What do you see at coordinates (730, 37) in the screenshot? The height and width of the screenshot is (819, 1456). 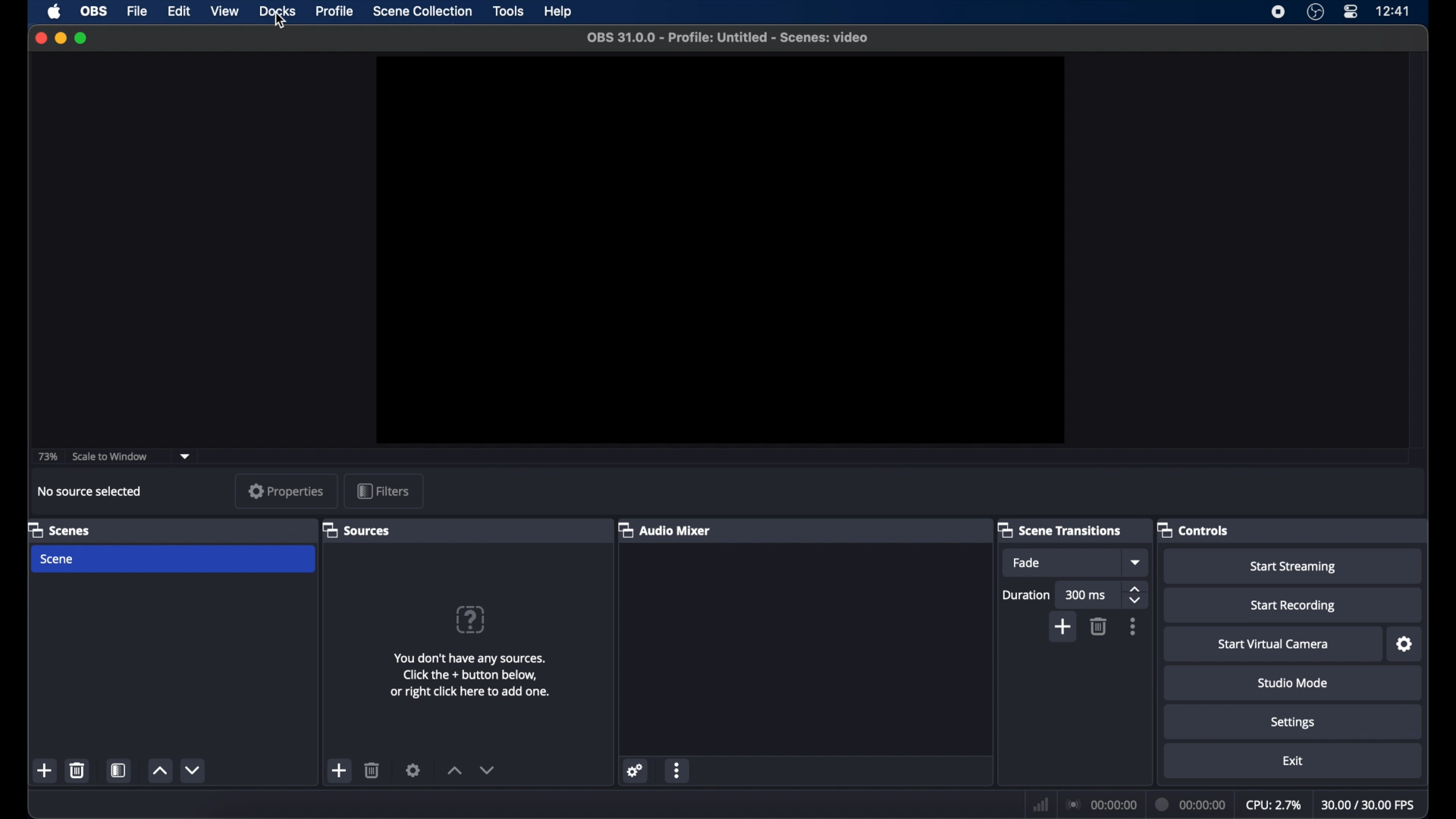 I see `OBS 31.0.0 - Profile: Untitled - Scenes: video` at bounding box center [730, 37].